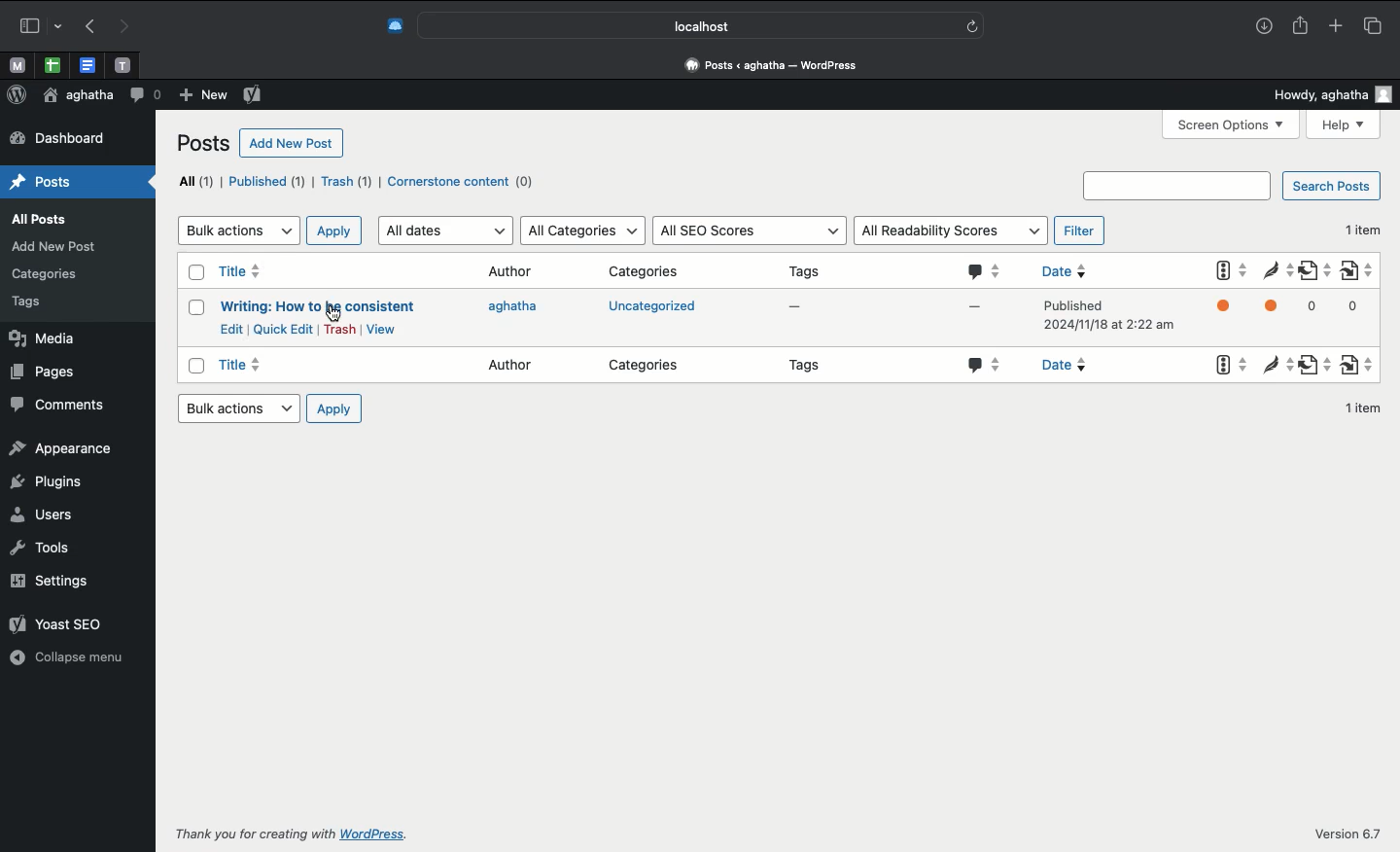 The height and width of the screenshot is (852, 1400). I want to click on Author, so click(512, 367).